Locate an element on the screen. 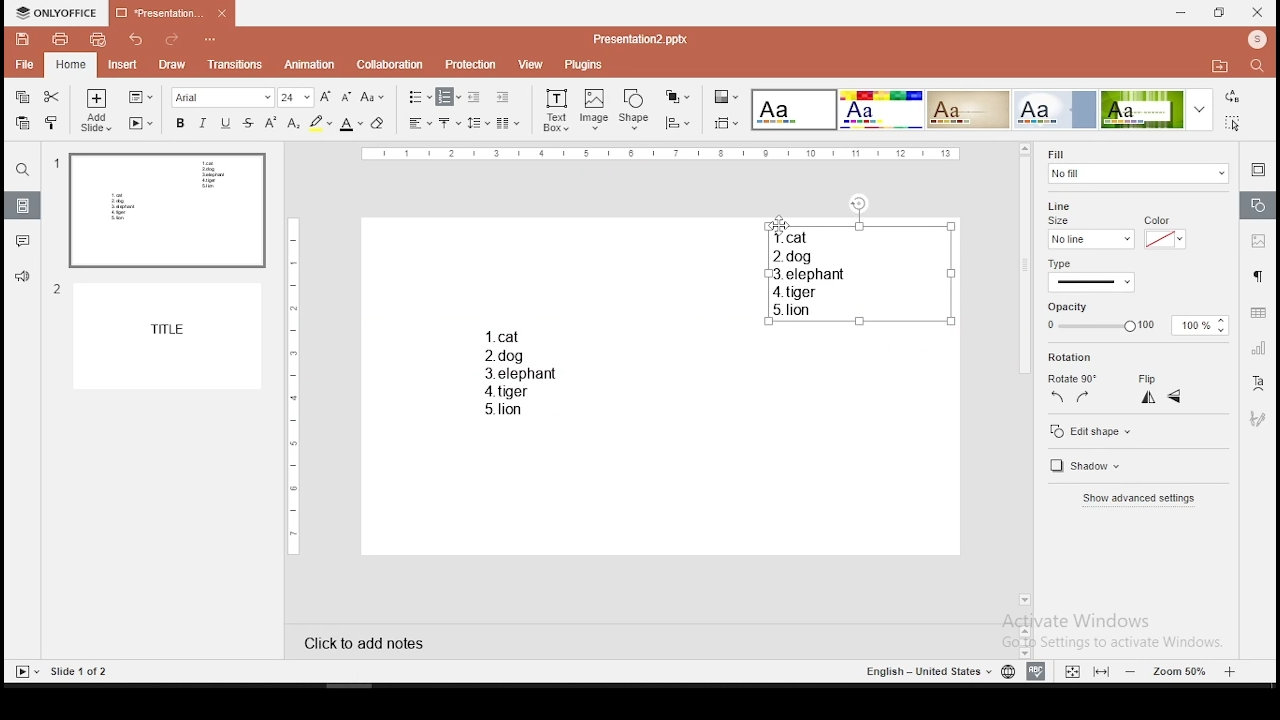  fill settings is located at coordinates (1135, 164).